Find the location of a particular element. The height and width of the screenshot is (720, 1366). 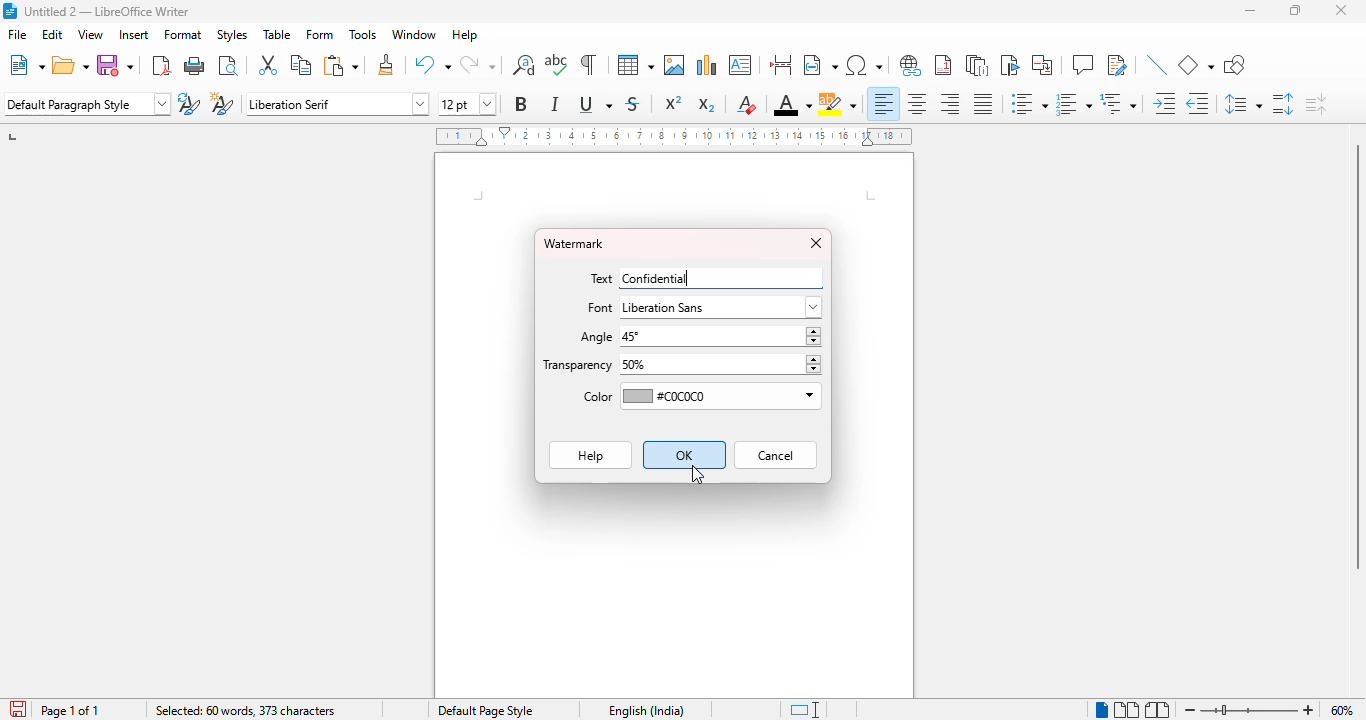

color is located at coordinates (595, 396).